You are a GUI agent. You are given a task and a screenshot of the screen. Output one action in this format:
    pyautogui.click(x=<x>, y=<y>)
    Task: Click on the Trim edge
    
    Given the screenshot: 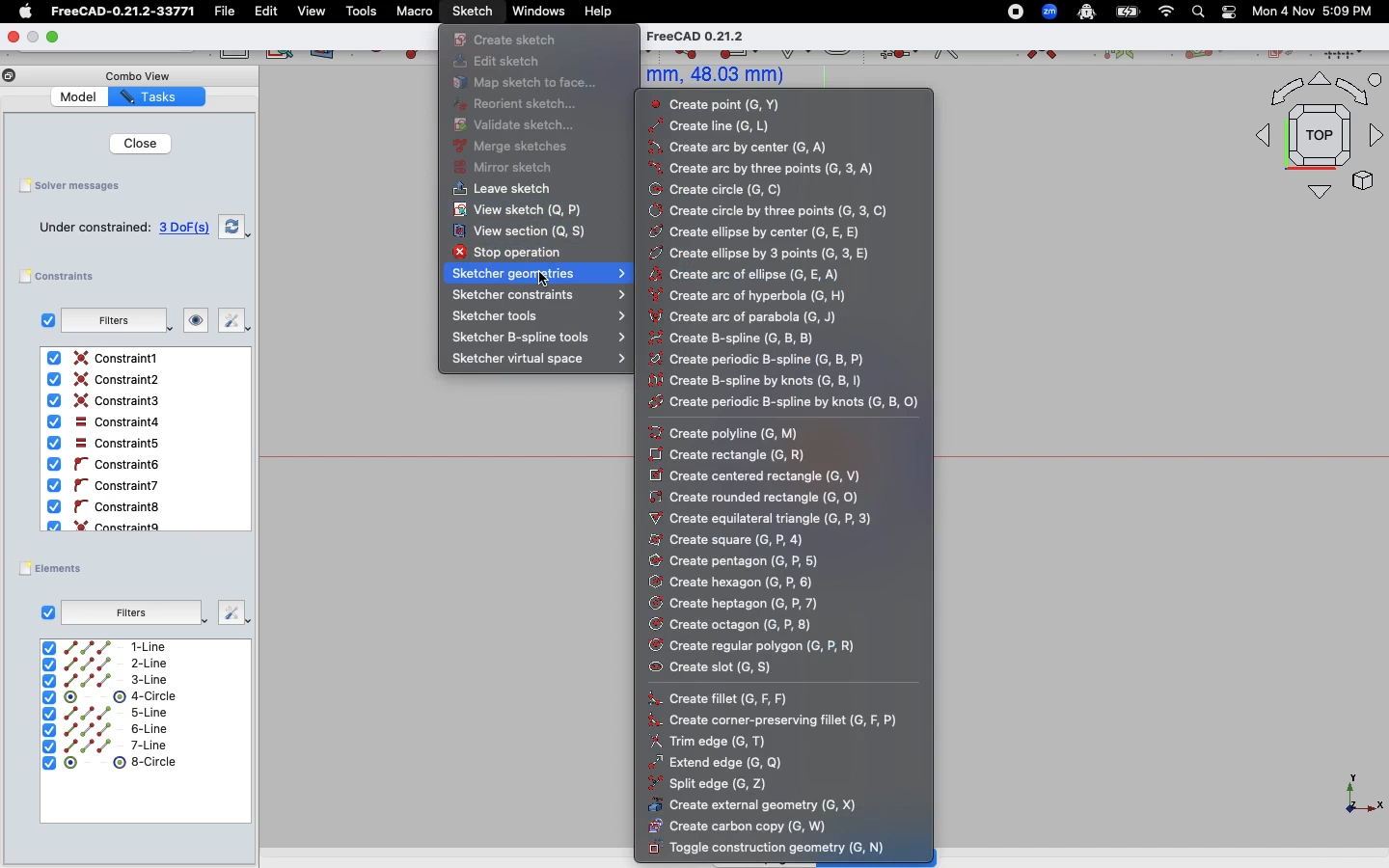 What is the action you would take?
    pyautogui.click(x=712, y=739)
    